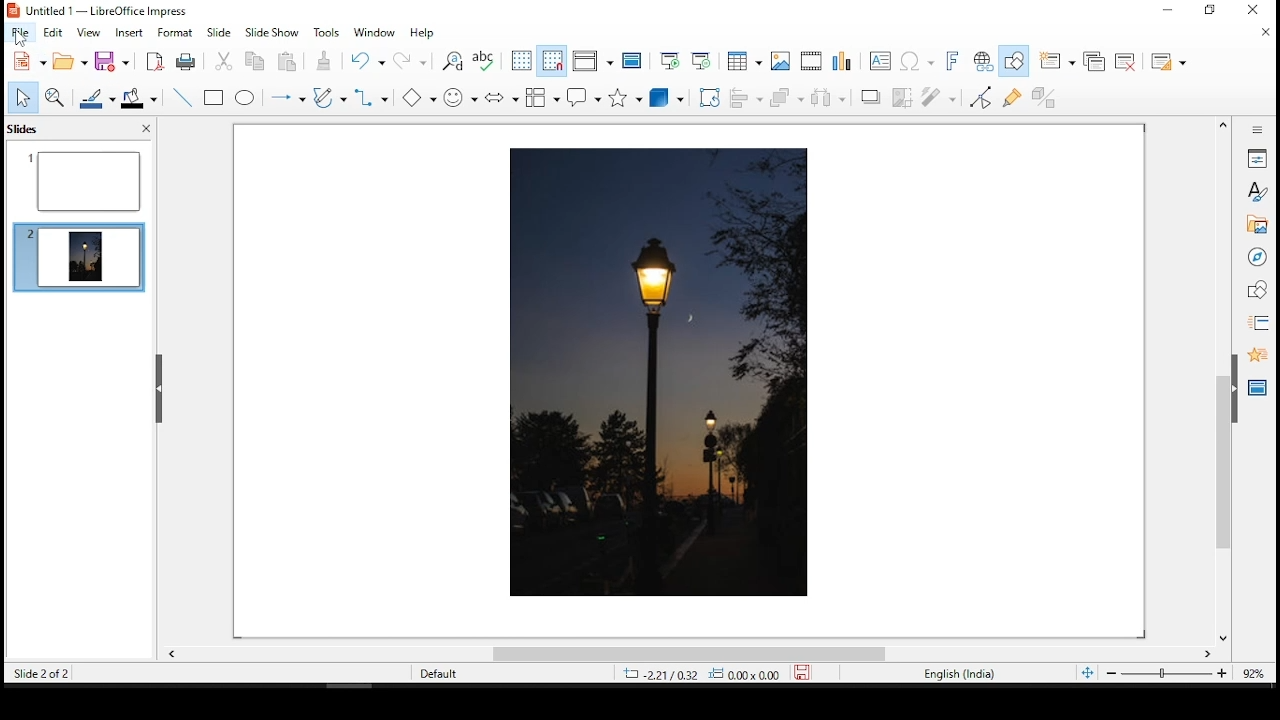 Image resolution: width=1280 pixels, height=720 pixels. What do you see at coordinates (273, 31) in the screenshot?
I see `slide show` at bounding box center [273, 31].